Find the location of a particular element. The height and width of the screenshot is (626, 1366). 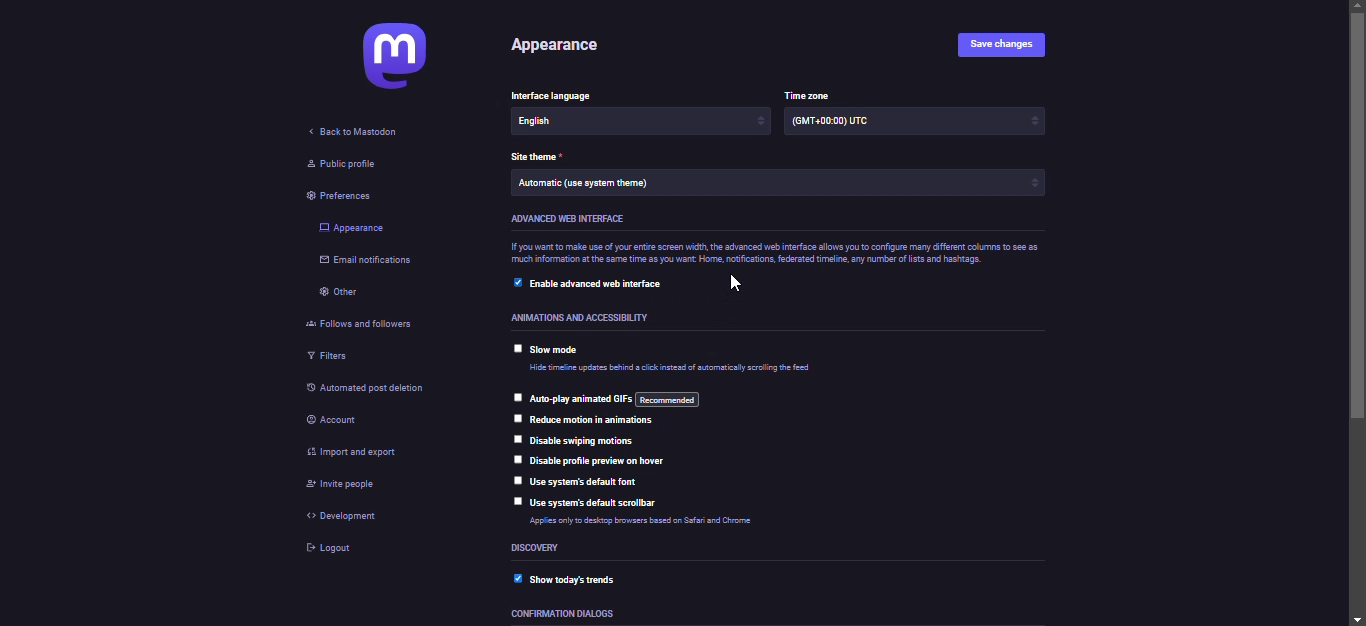

Applies only to desktop browsers based on Safari and Chrome is located at coordinates (645, 520).